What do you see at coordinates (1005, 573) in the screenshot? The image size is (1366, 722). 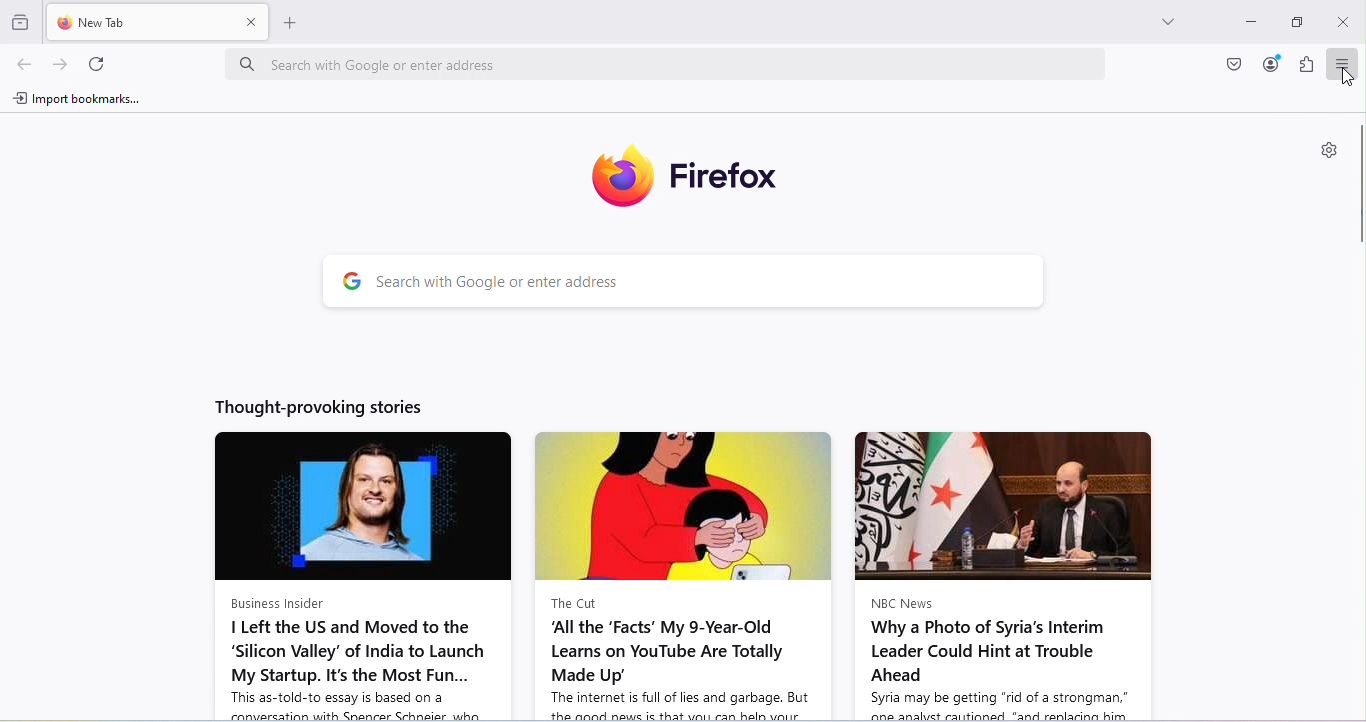 I see `news article from nbc news` at bounding box center [1005, 573].